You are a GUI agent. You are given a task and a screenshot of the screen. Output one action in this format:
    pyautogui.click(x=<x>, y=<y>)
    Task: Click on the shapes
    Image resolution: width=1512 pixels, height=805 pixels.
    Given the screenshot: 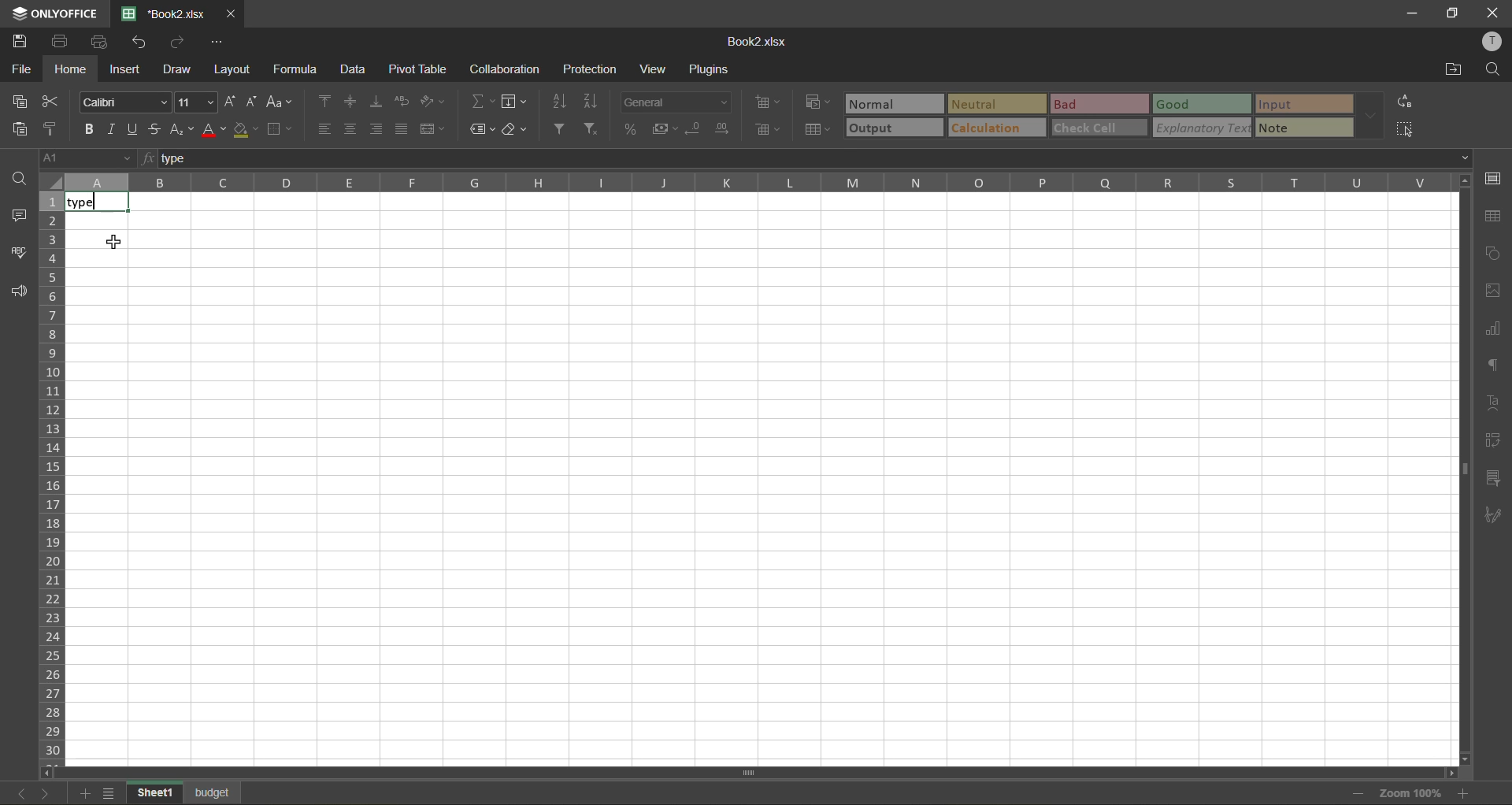 What is the action you would take?
    pyautogui.click(x=1494, y=254)
    